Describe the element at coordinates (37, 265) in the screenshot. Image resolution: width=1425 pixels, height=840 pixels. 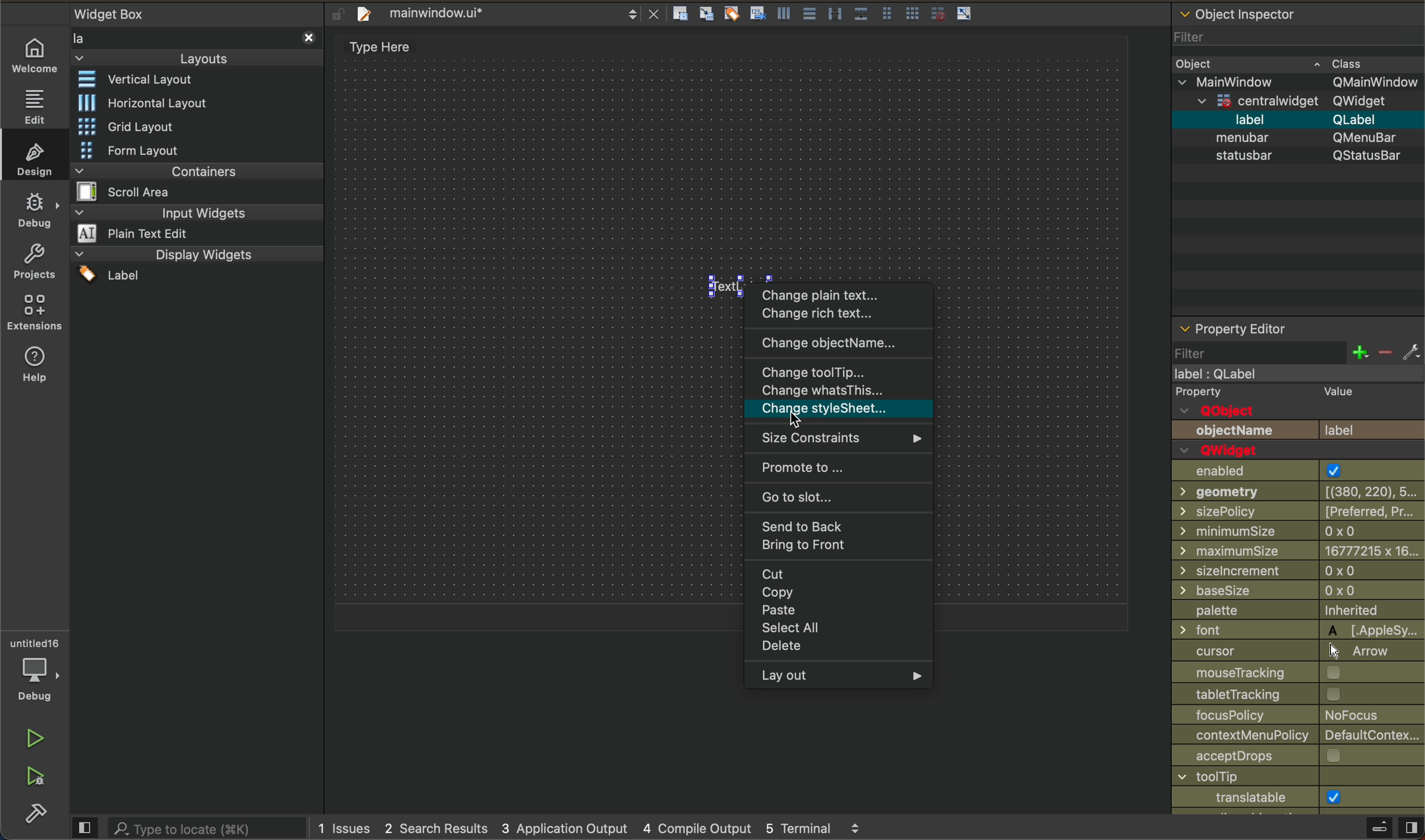
I see `projects` at that location.